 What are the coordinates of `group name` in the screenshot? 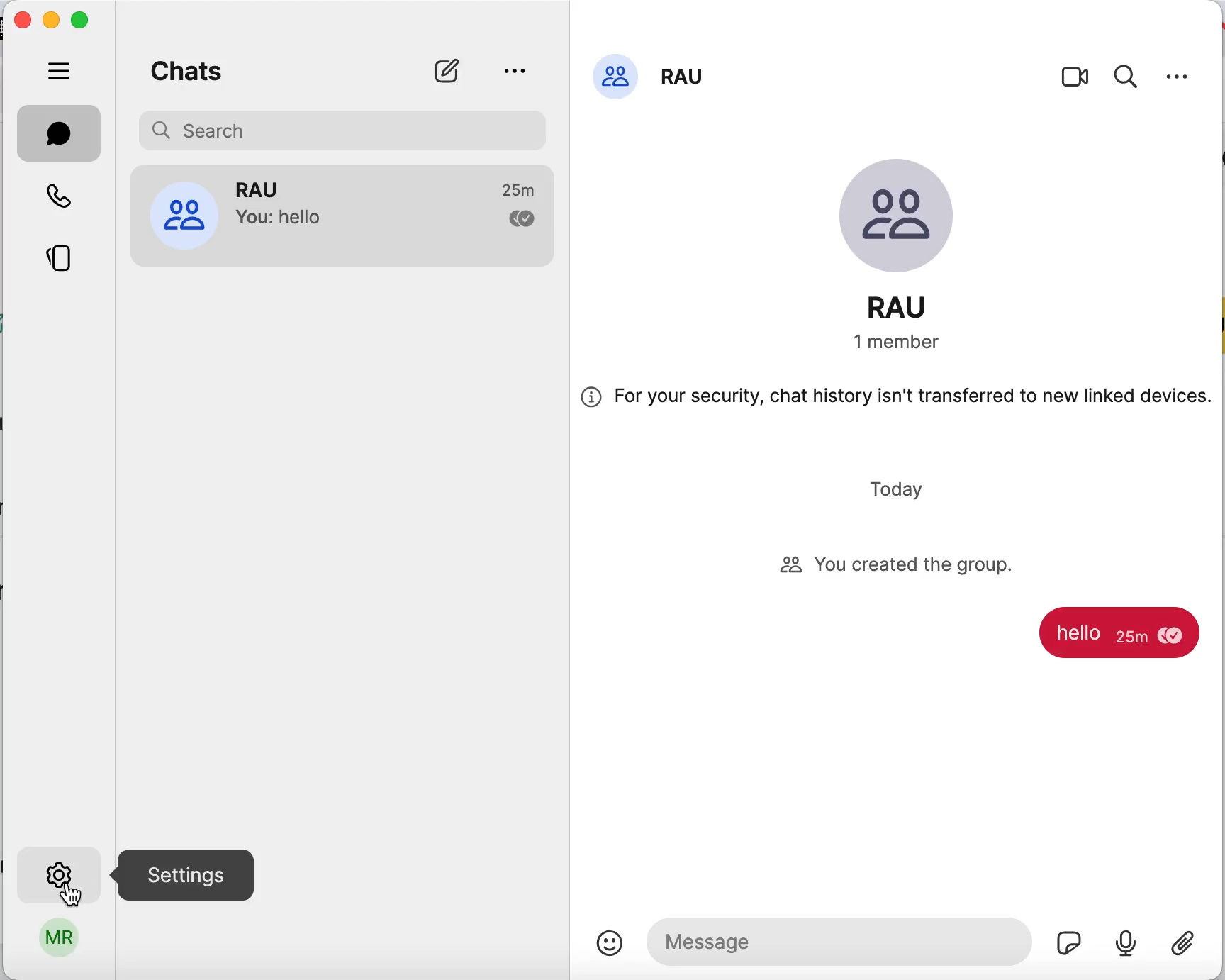 It's located at (907, 308).